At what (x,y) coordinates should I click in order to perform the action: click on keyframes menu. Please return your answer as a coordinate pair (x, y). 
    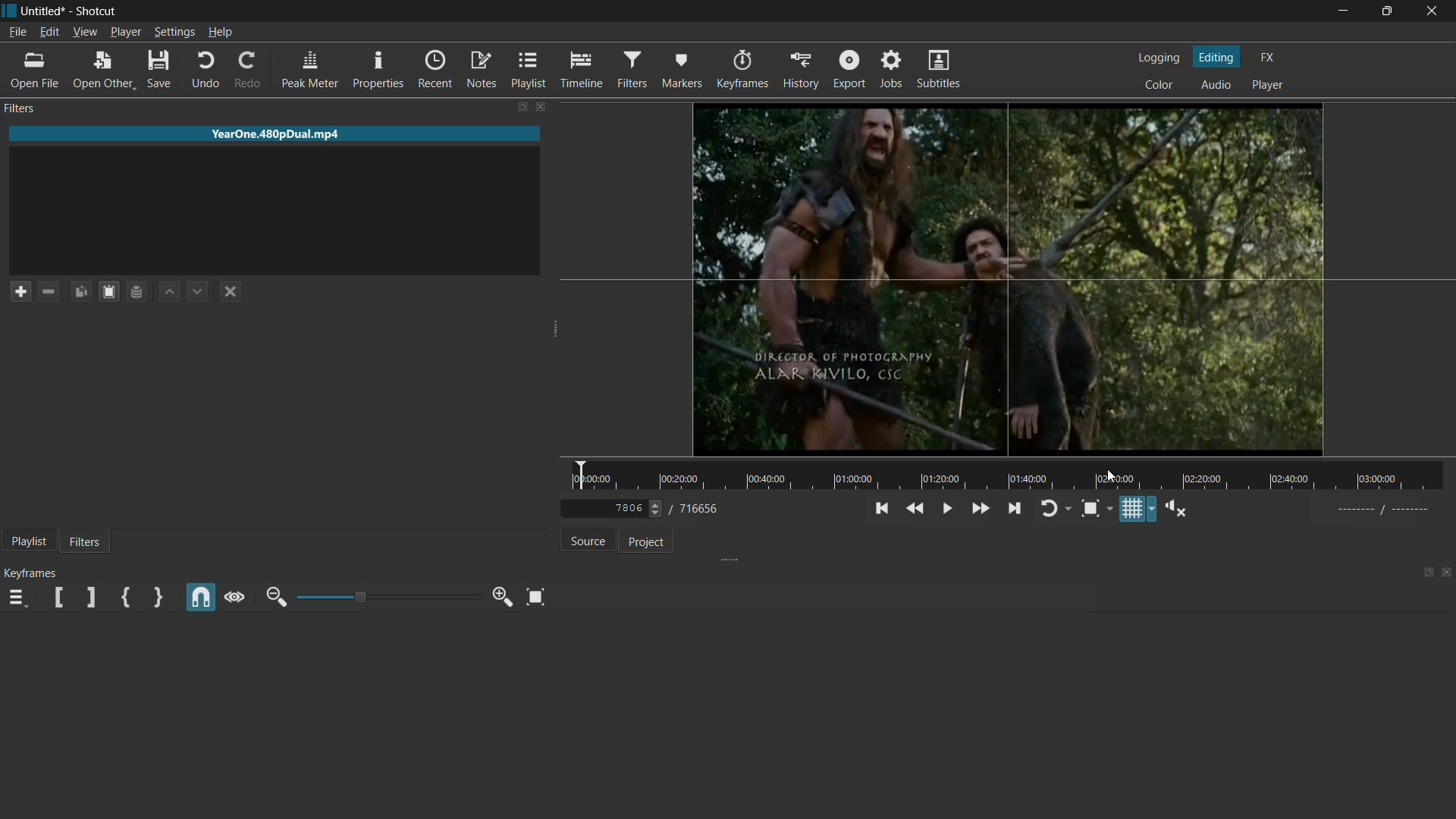
    Looking at the image, I should click on (17, 600).